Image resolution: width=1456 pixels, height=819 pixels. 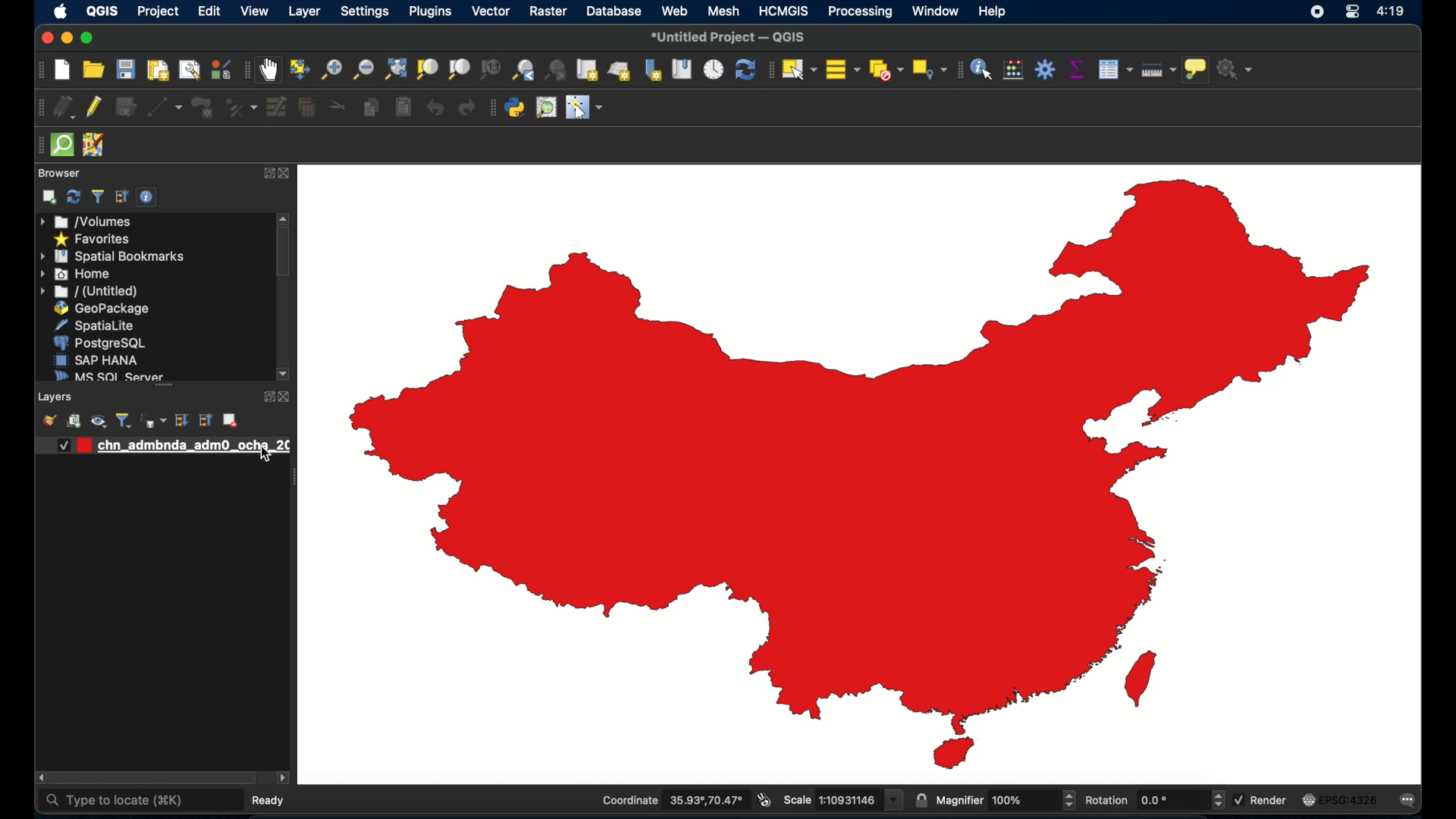 I want to click on paste features, so click(x=401, y=107).